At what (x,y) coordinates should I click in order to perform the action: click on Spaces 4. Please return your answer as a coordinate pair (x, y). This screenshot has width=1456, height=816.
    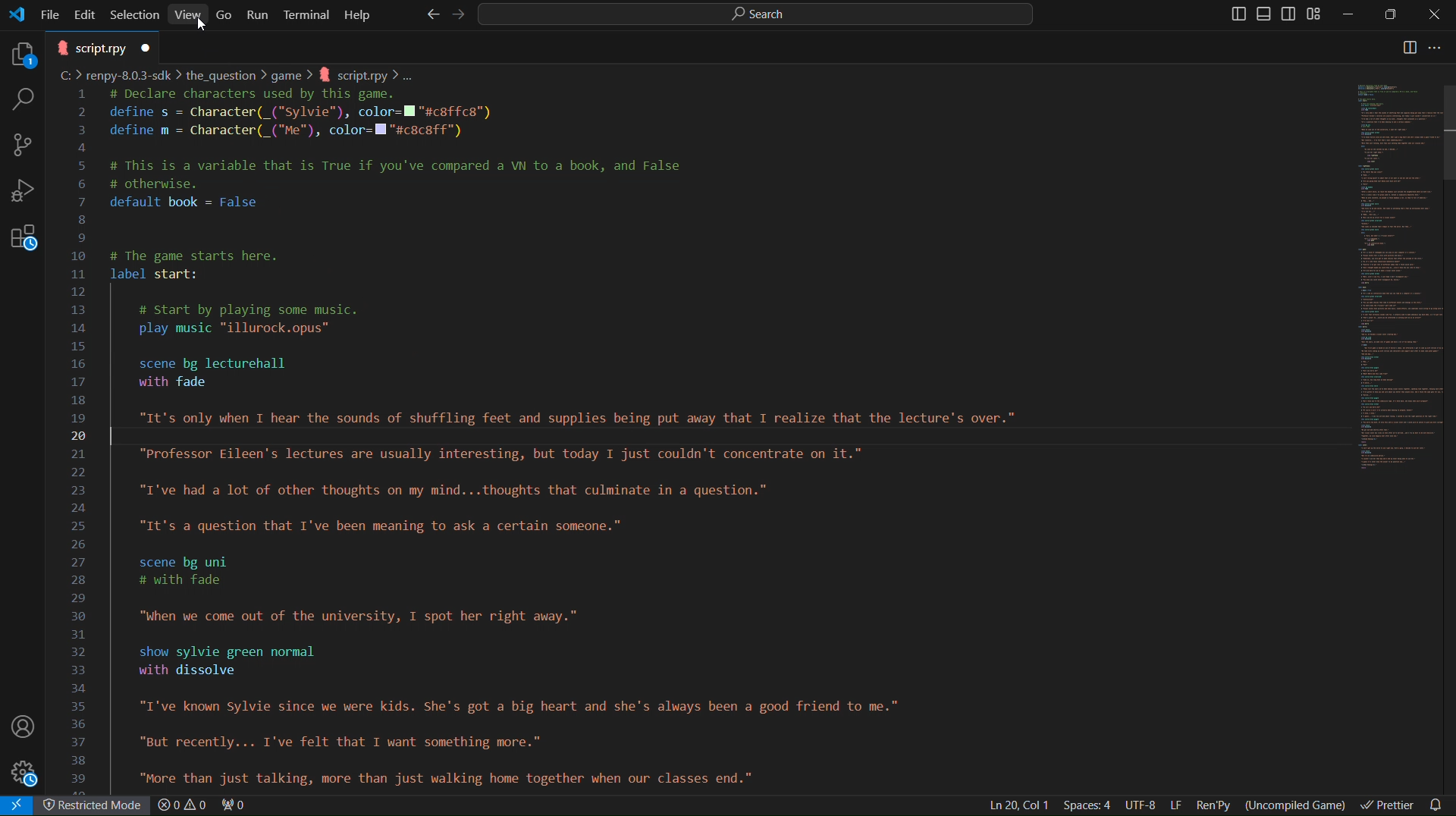
    Looking at the image, I should click on (1090, 805).